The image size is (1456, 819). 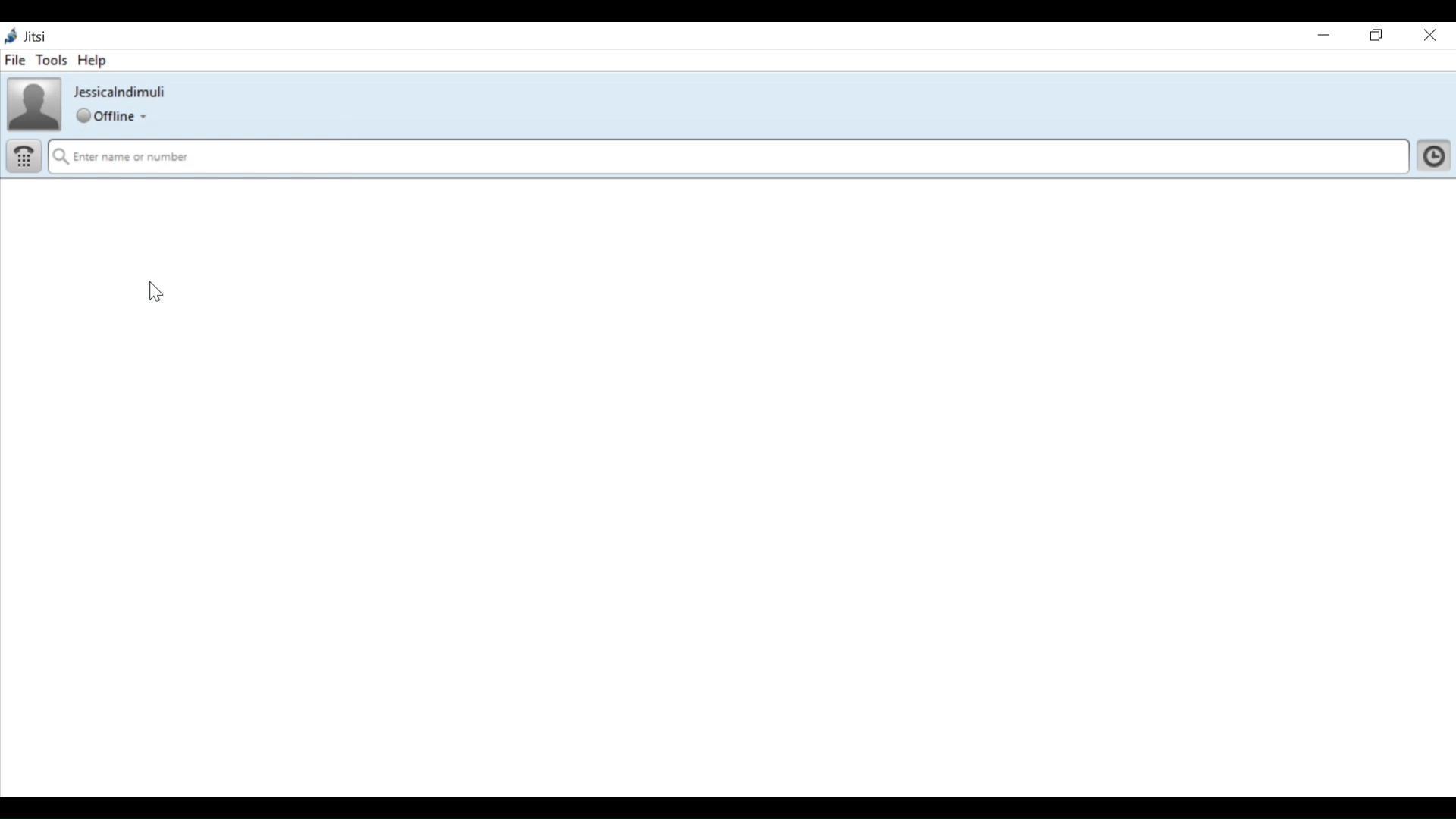 I want to click on ID name, so click(x=118, y=91).